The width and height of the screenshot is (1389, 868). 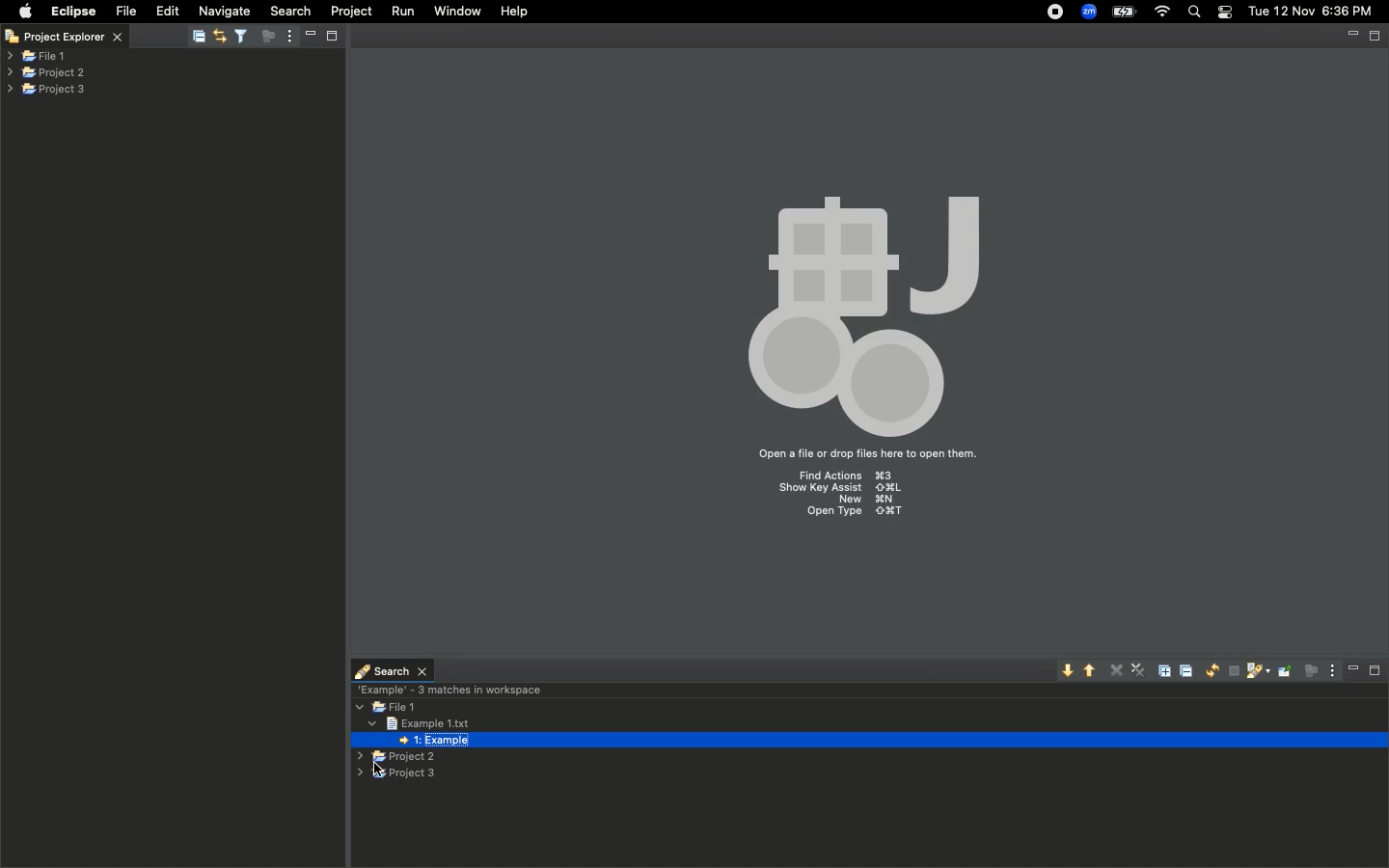 I want to click on Date/time, so click(x=1312, y=11).